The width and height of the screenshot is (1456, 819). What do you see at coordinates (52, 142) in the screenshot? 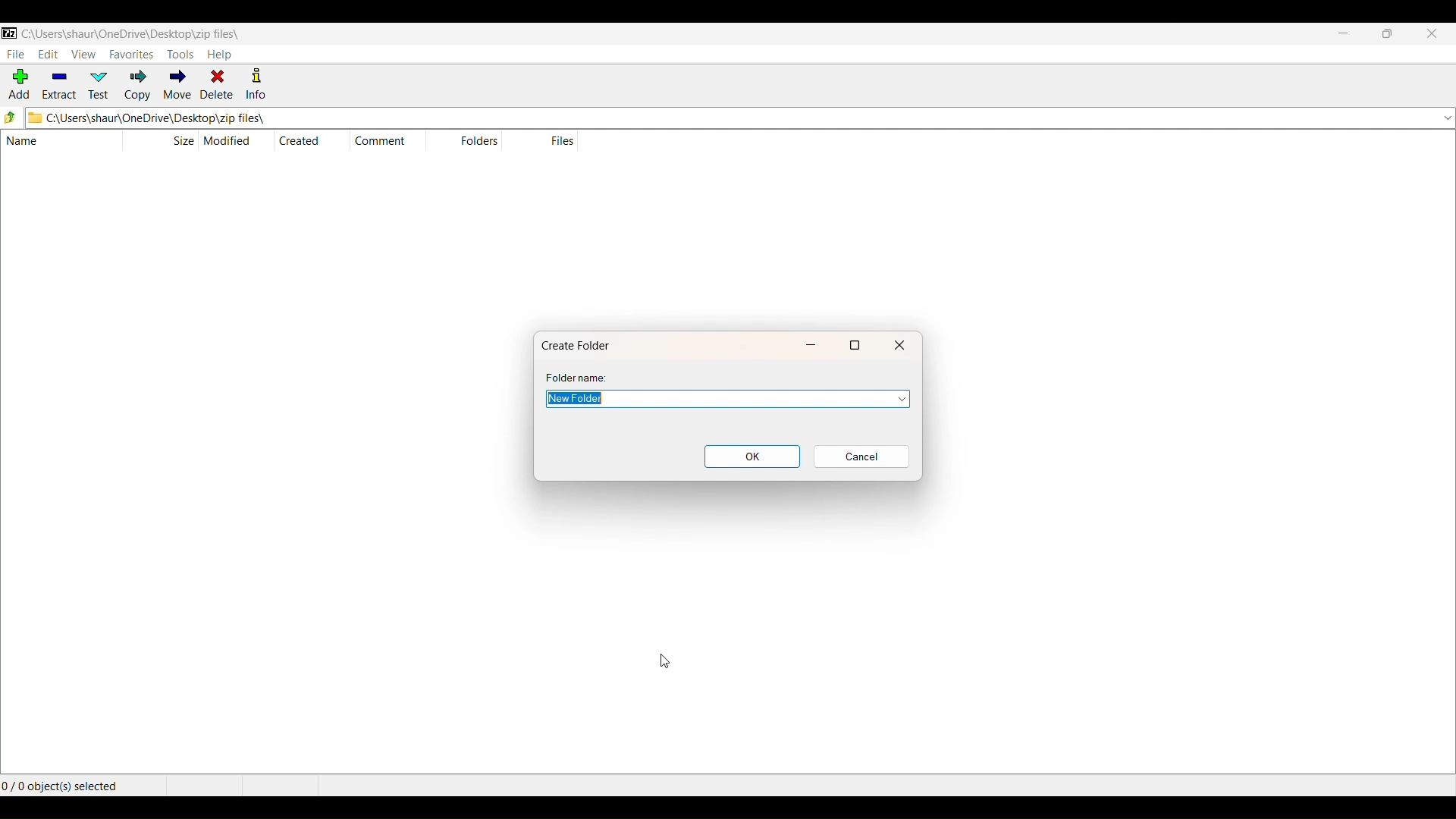
I see `NAME` at bounding box center [52, 142].